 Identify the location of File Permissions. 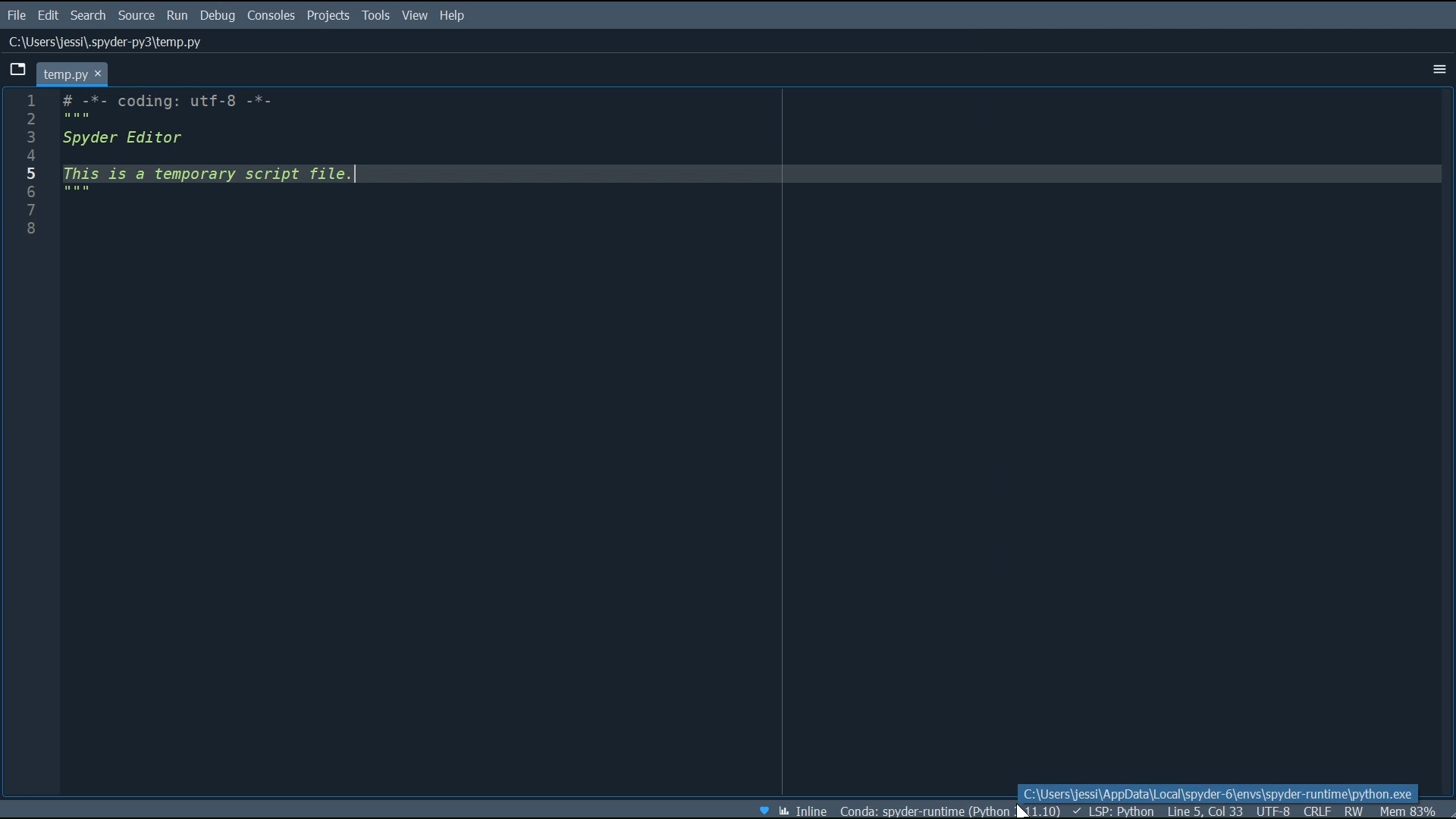
(1357, 810).